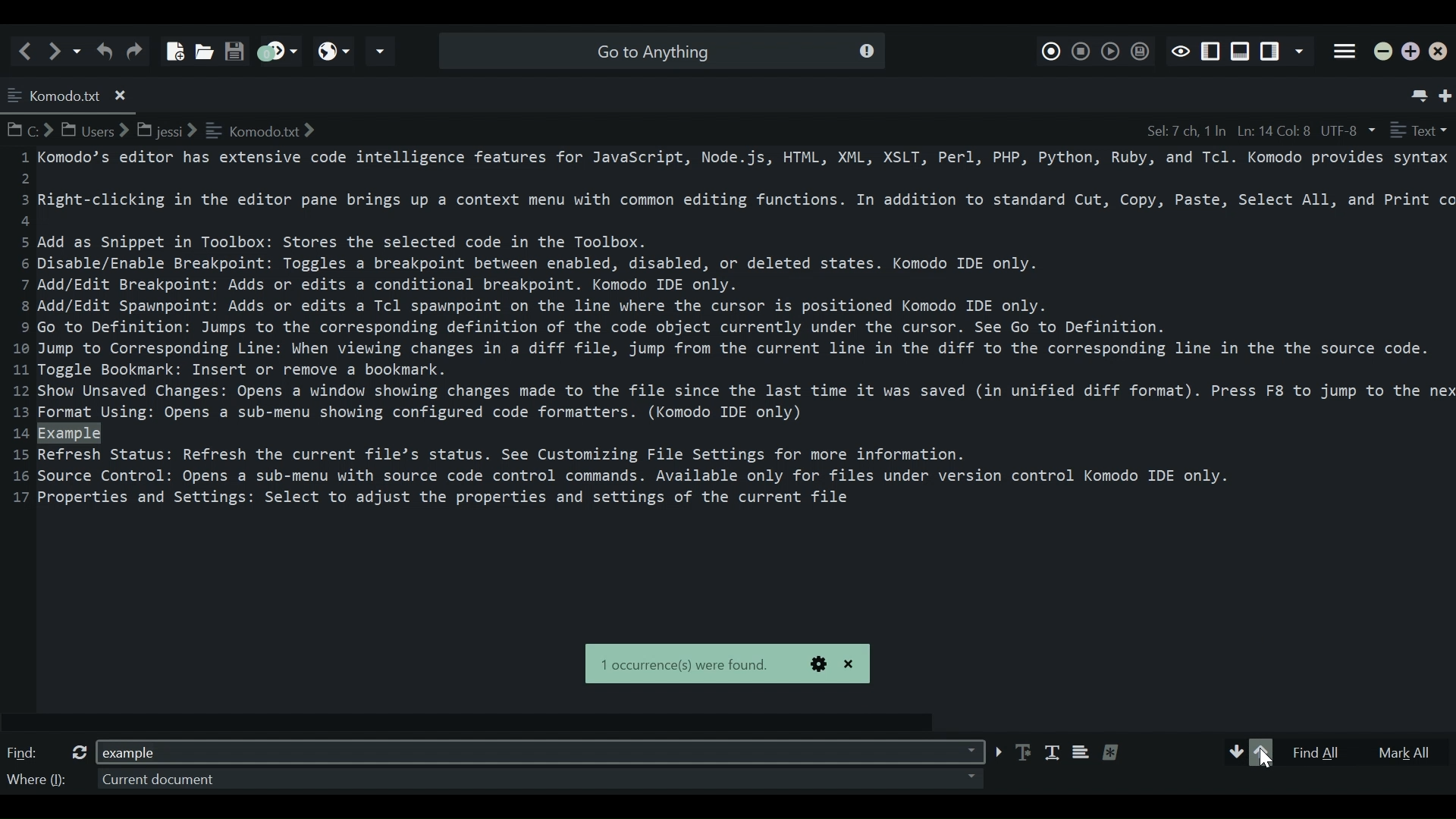  Describe the element at coordinates (78, 50) in the screenshot. I see `Recent locations` at that location.